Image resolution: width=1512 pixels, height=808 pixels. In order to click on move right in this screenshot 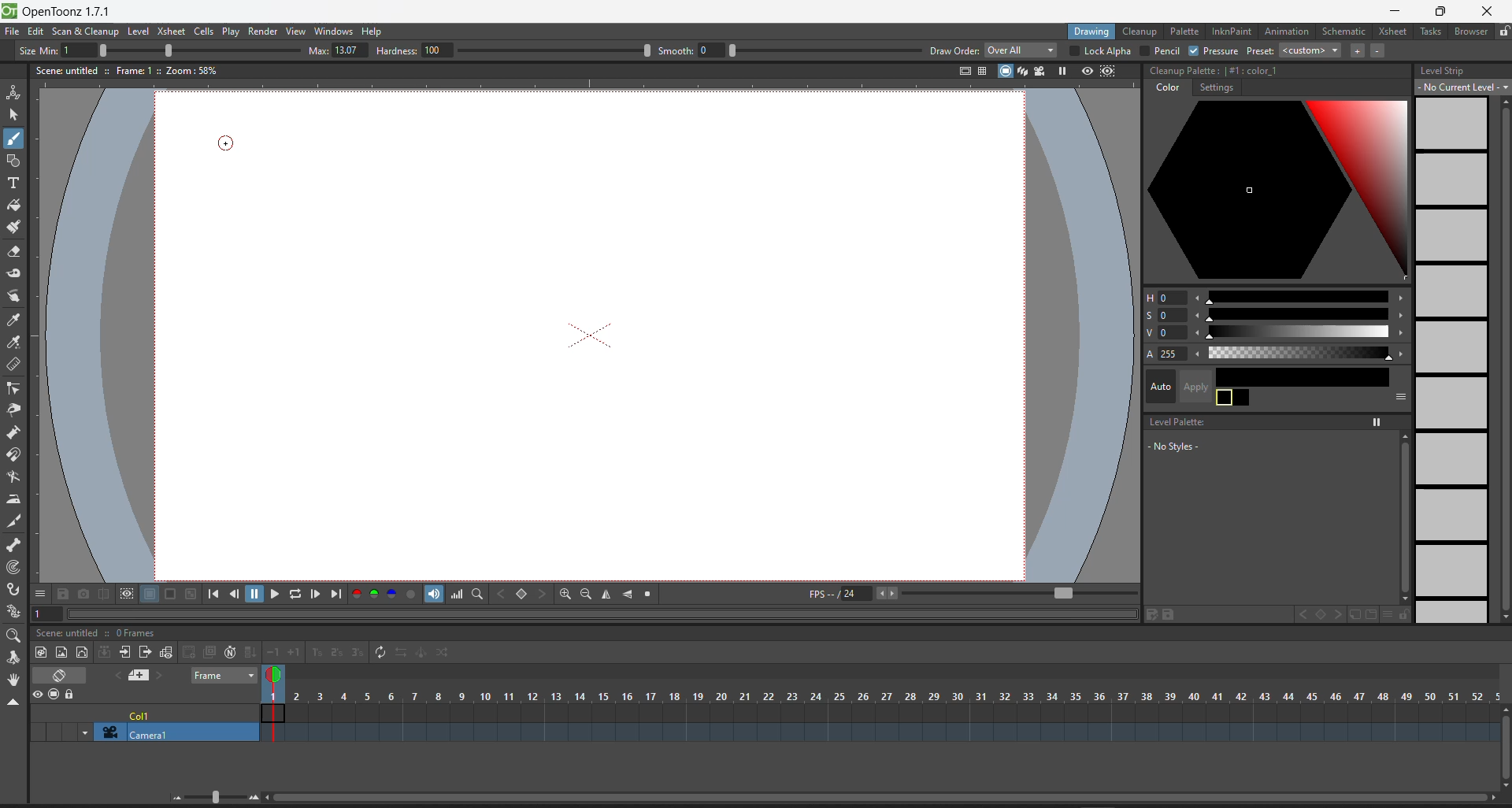, I will do `click(1399, 298)`.